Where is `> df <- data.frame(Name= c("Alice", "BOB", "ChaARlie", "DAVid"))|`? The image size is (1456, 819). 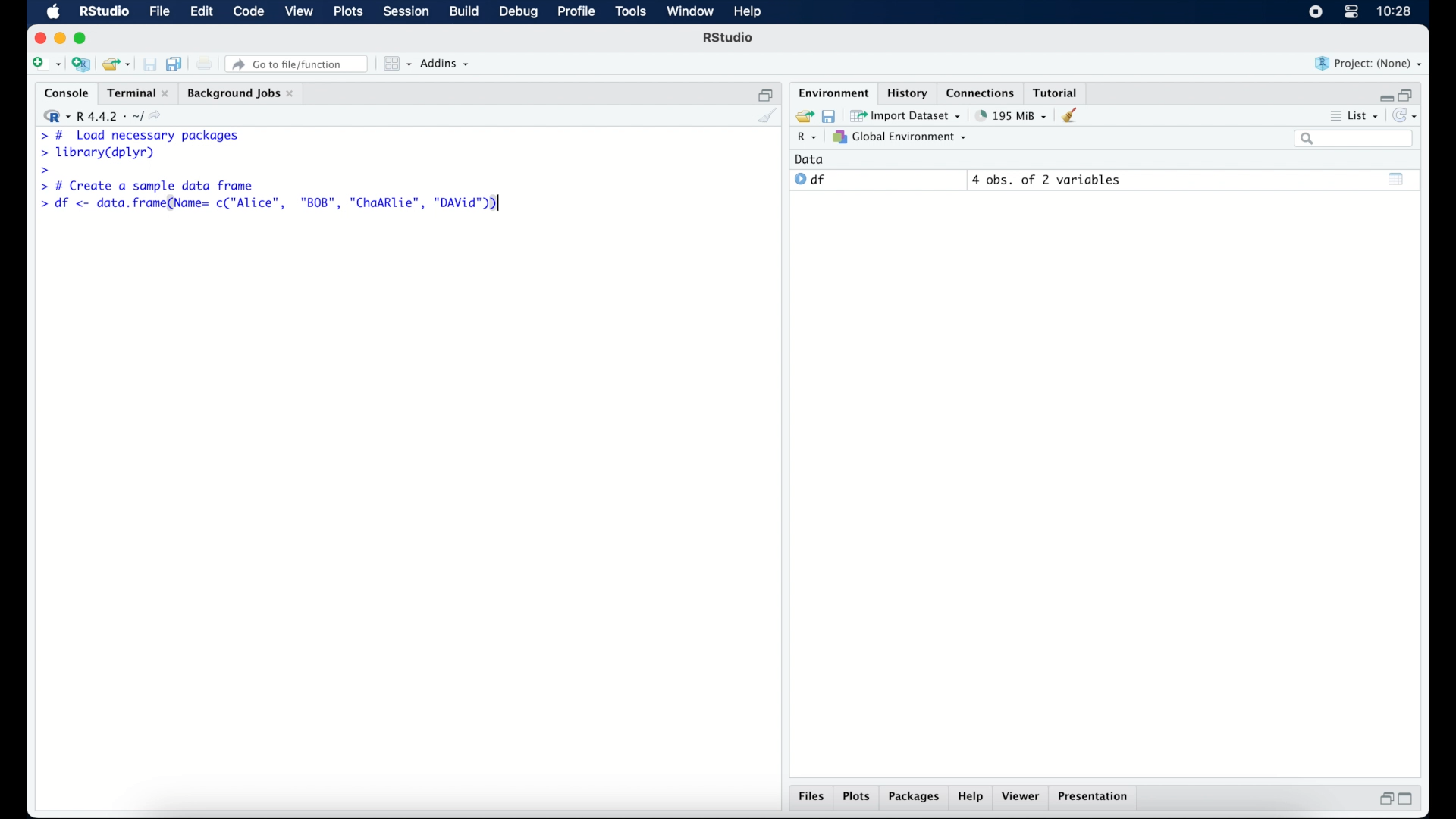
> df <- data.frame(Name= c("Alice", "BOB", "ChaARlie", "DAVid"))| is located at coordinates (274, 204).